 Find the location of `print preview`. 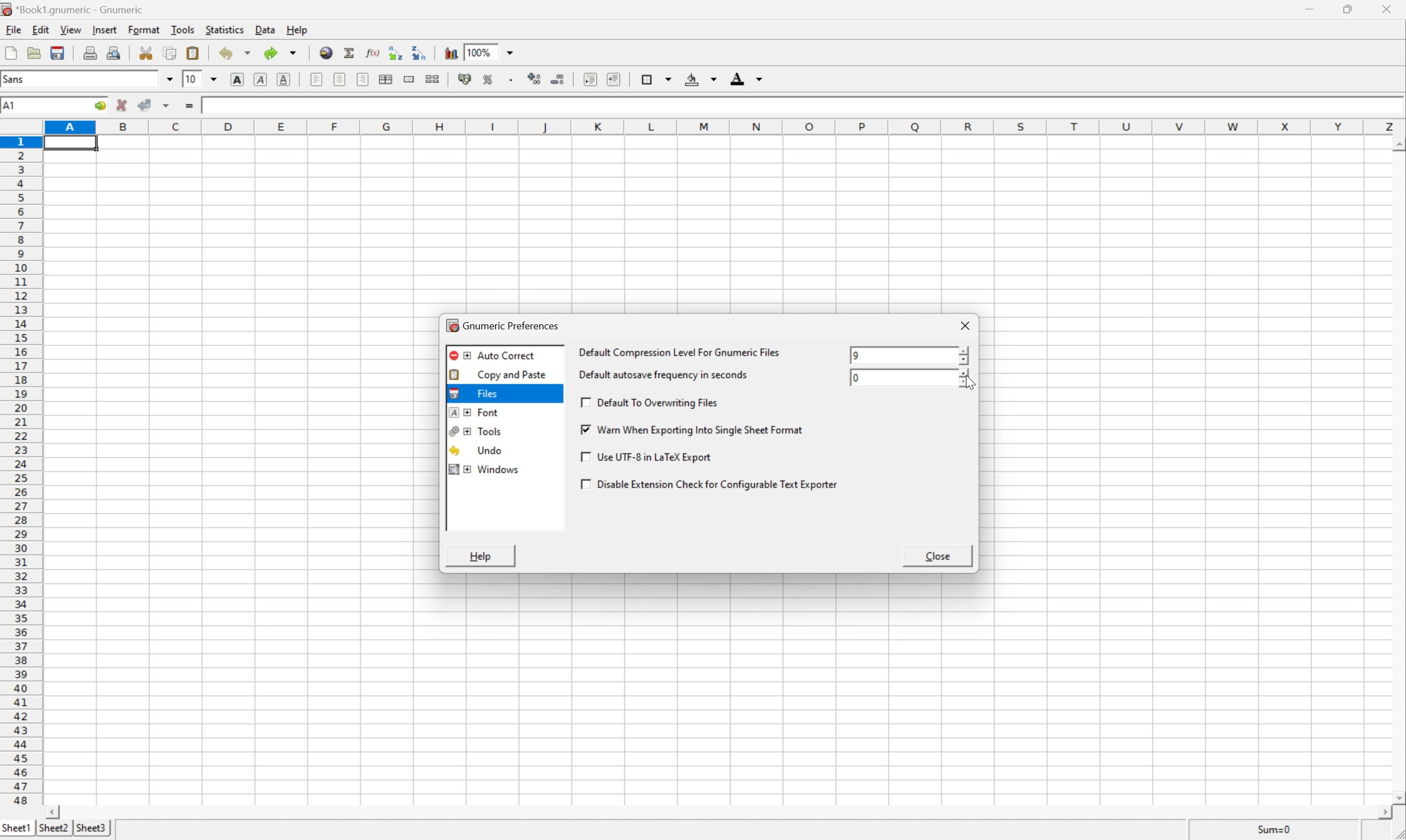

print preview is located at coordinates (113, 52).